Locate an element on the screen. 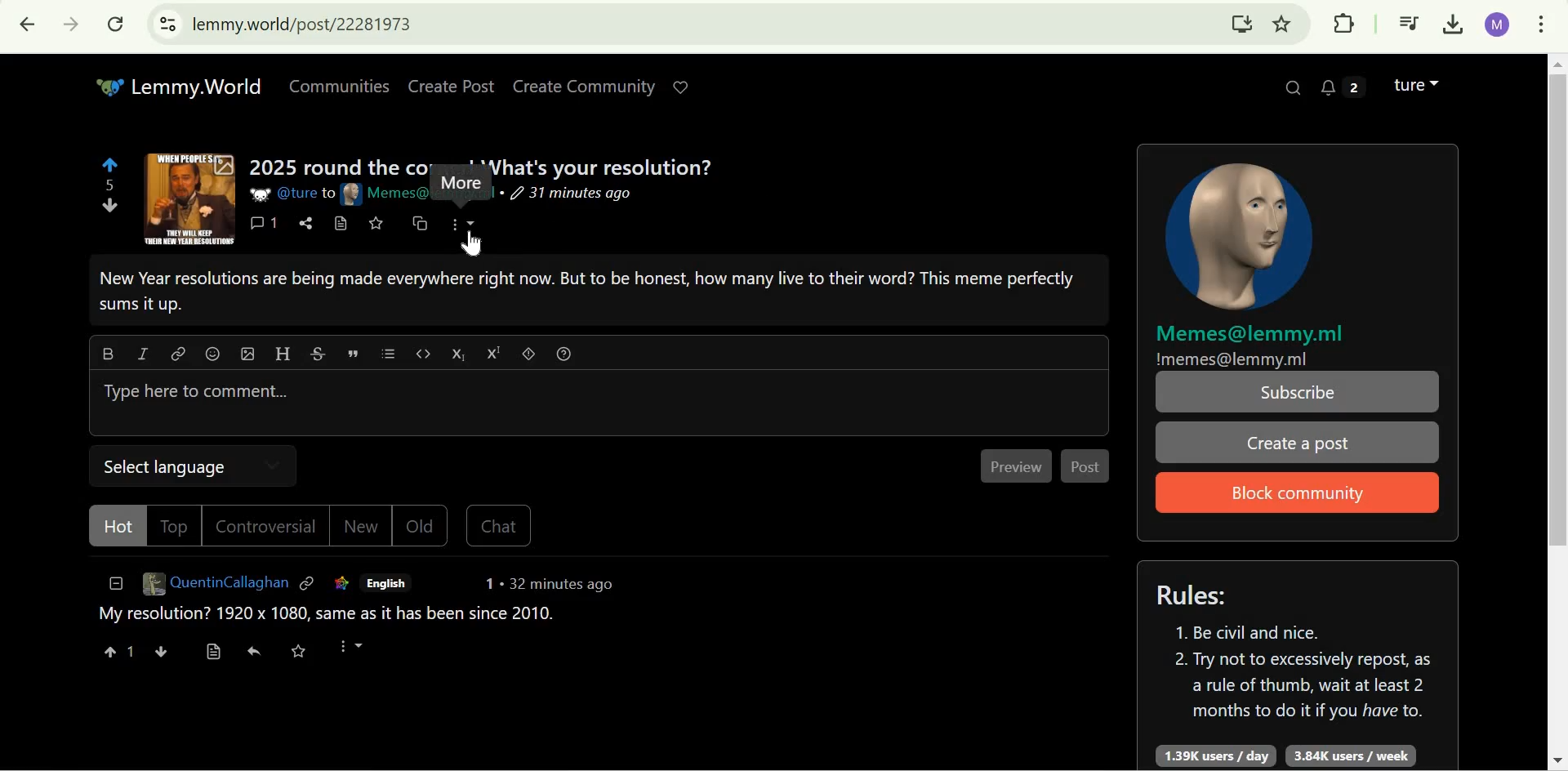 Image resolution: width=1568 pixels, height=771 pixels. !memes@lemmy.ml is located at coordinates (1232, 359).